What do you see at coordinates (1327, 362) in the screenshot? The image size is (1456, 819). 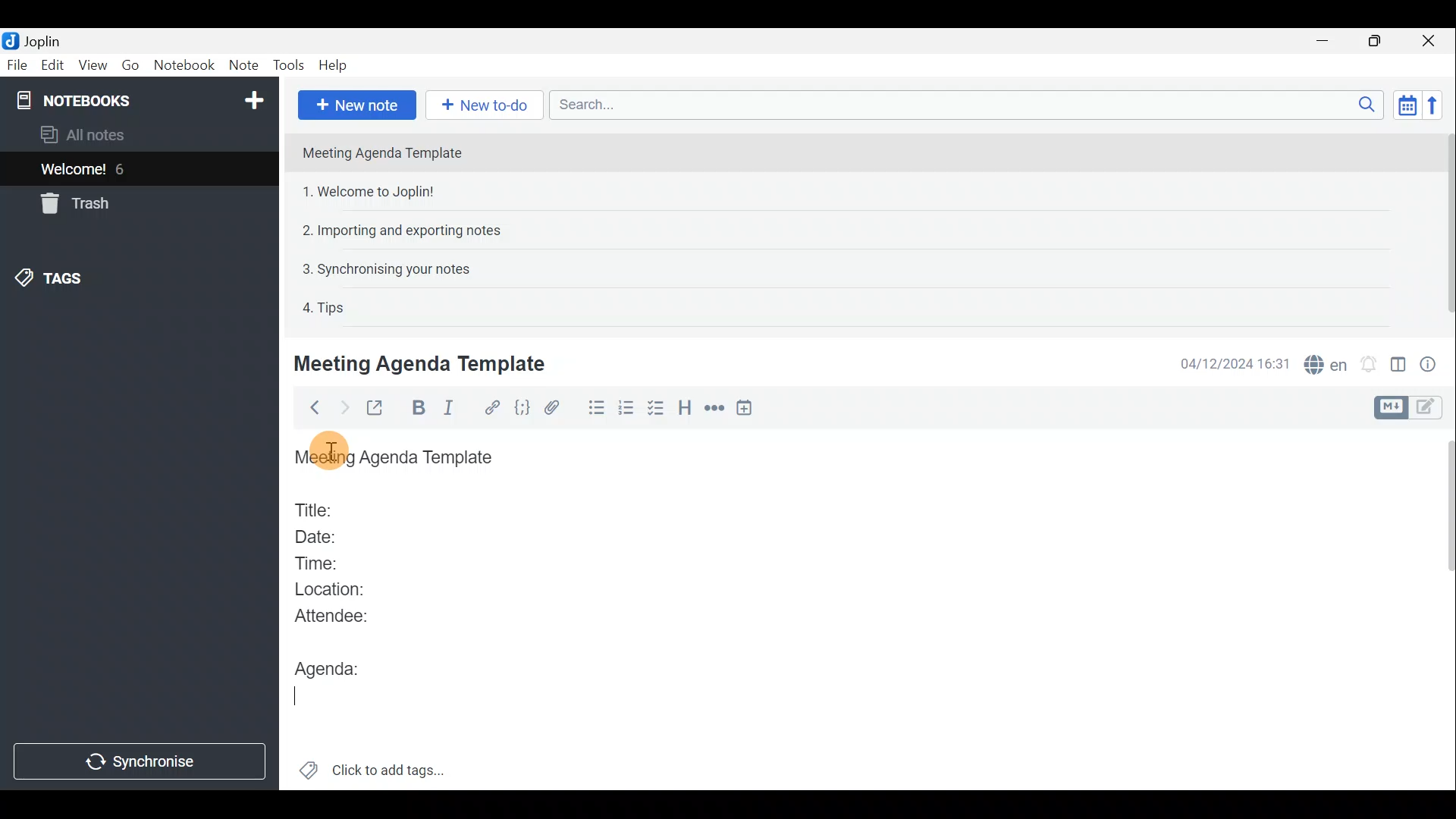 I see `Spell checker` at bounding box center [1327, 362].